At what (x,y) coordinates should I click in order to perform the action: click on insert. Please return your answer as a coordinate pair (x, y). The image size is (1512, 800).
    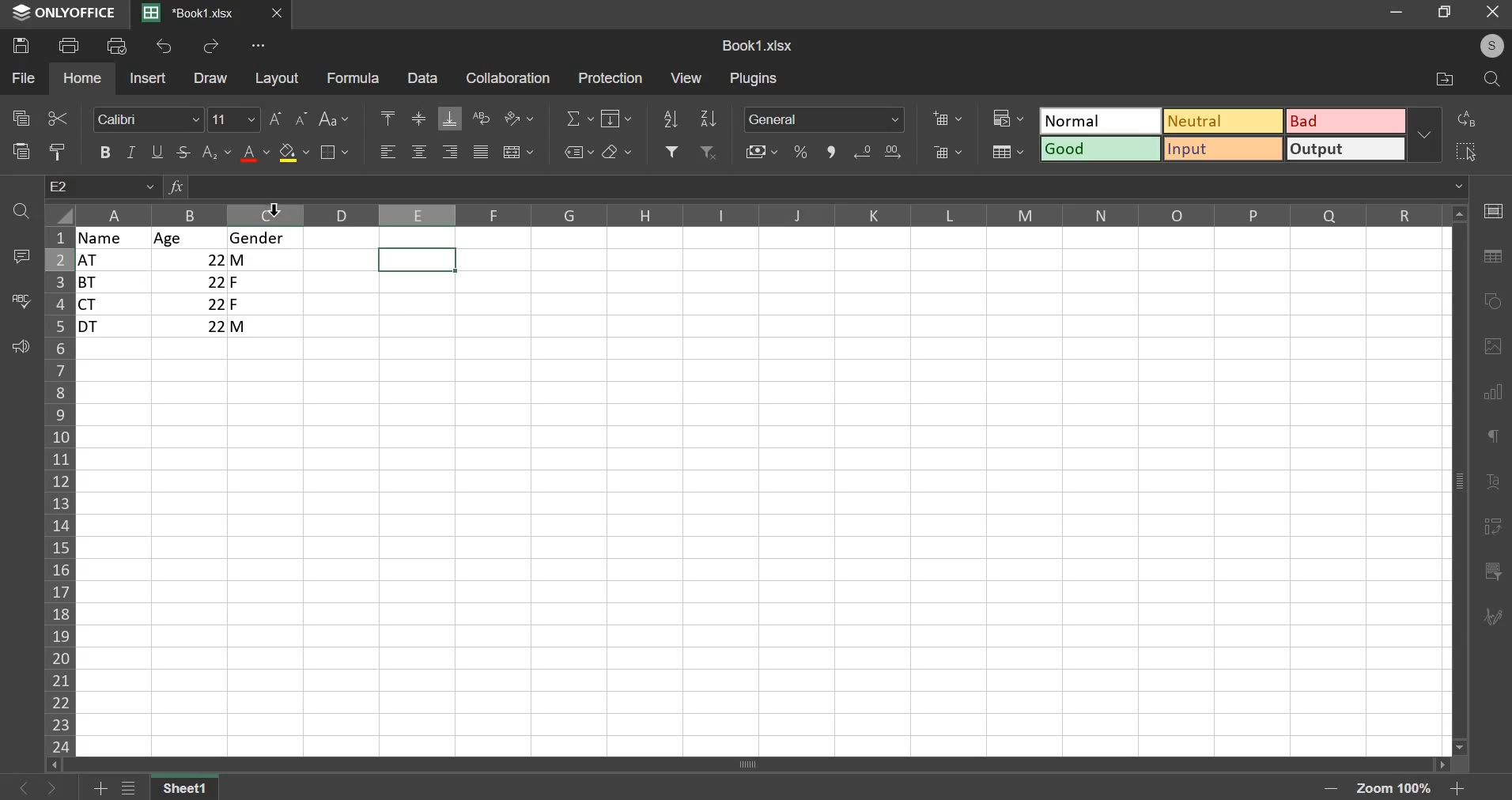
    Looking at the image, I should click on (148, 77).